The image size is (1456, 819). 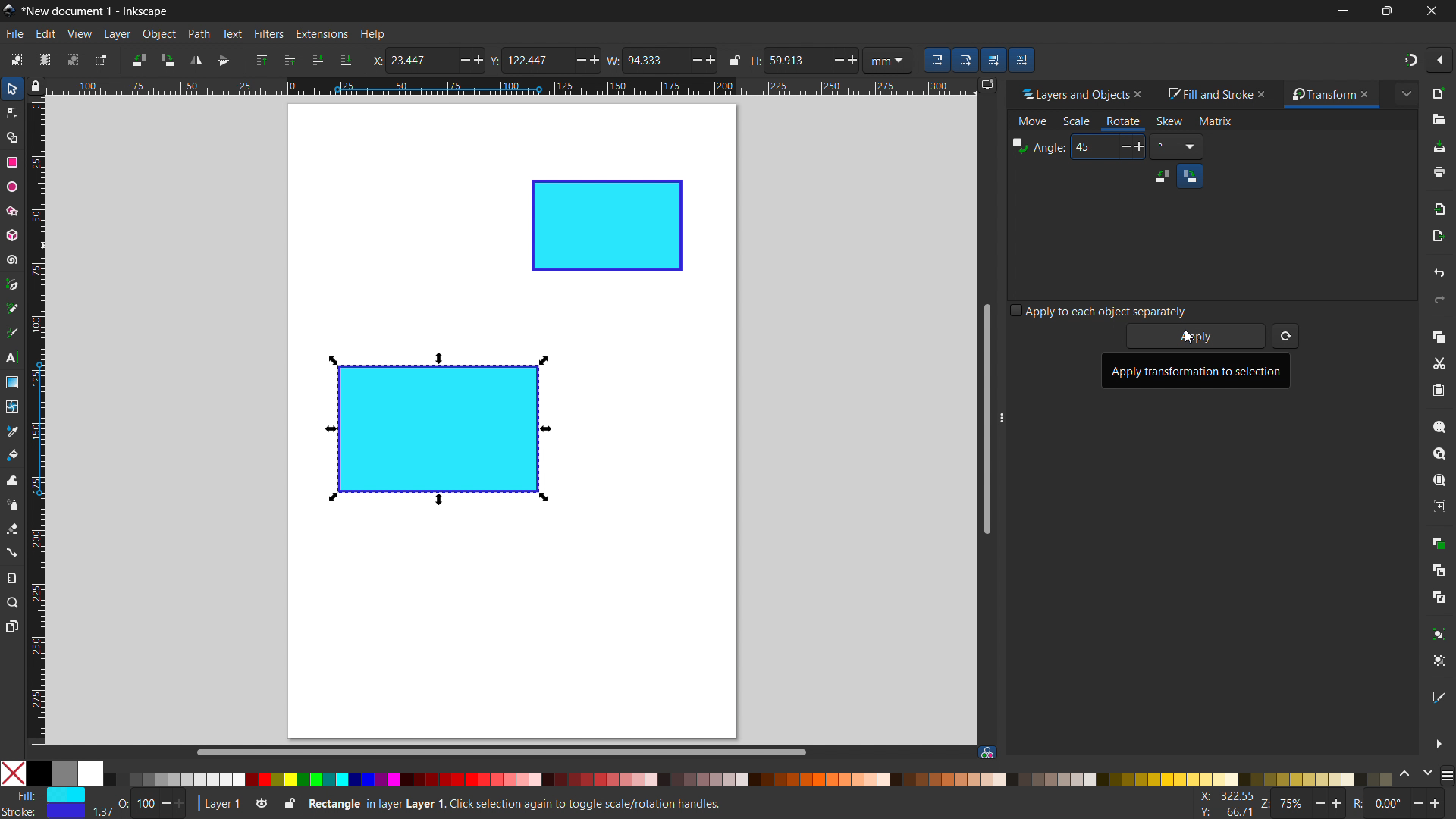 I want to click on layers and objects, so click(x=1070, y=94).